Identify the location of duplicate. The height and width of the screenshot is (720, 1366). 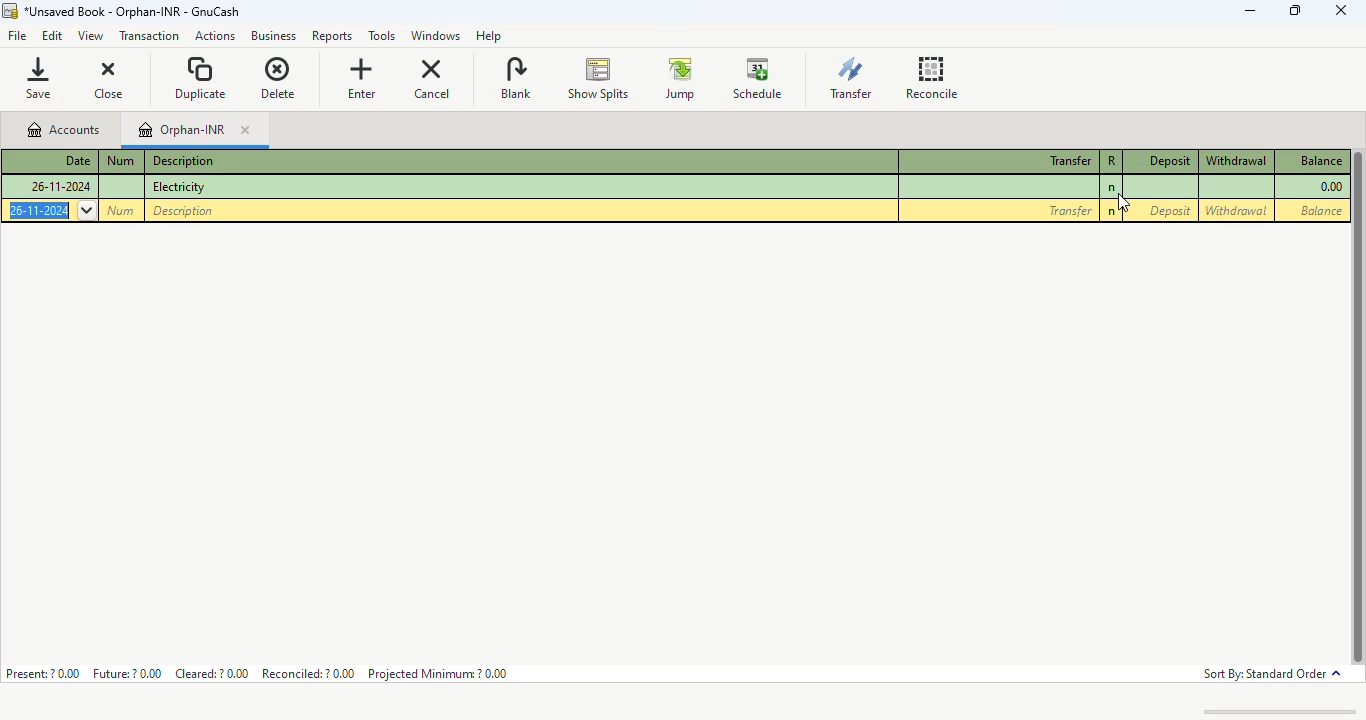
(201, 77).